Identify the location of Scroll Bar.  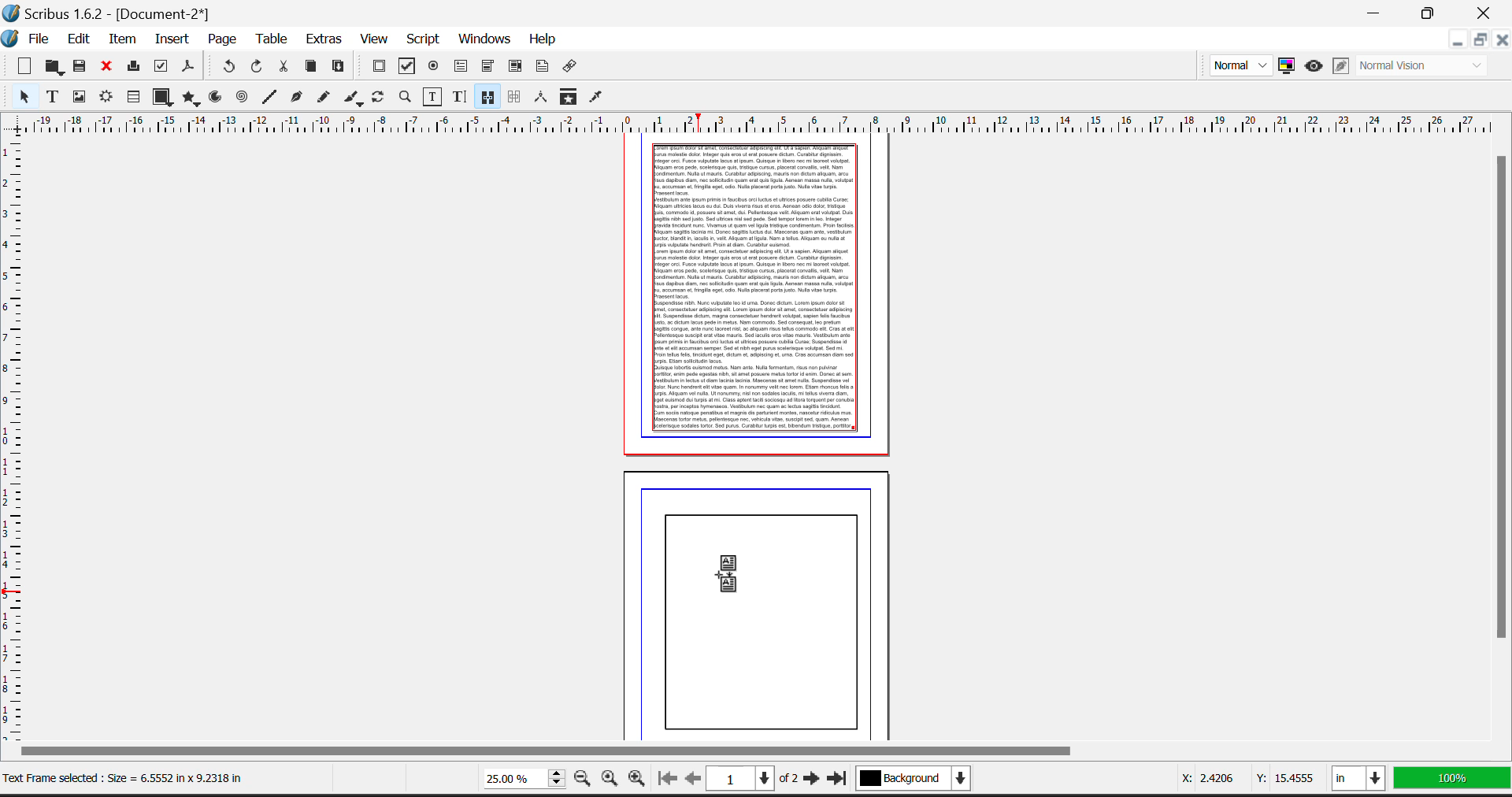
(751, 751).